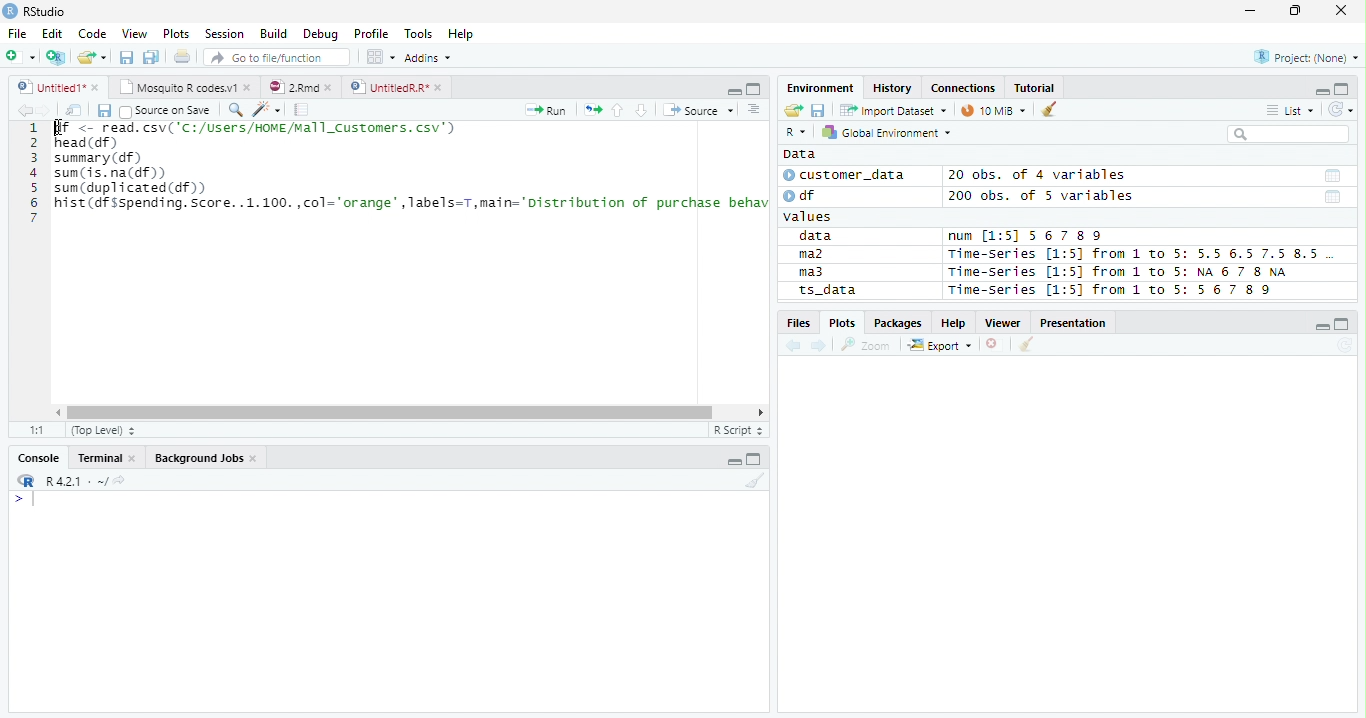  Describe the element at coordinates (548, 111) in the screenshot. I see `Run` at that location.